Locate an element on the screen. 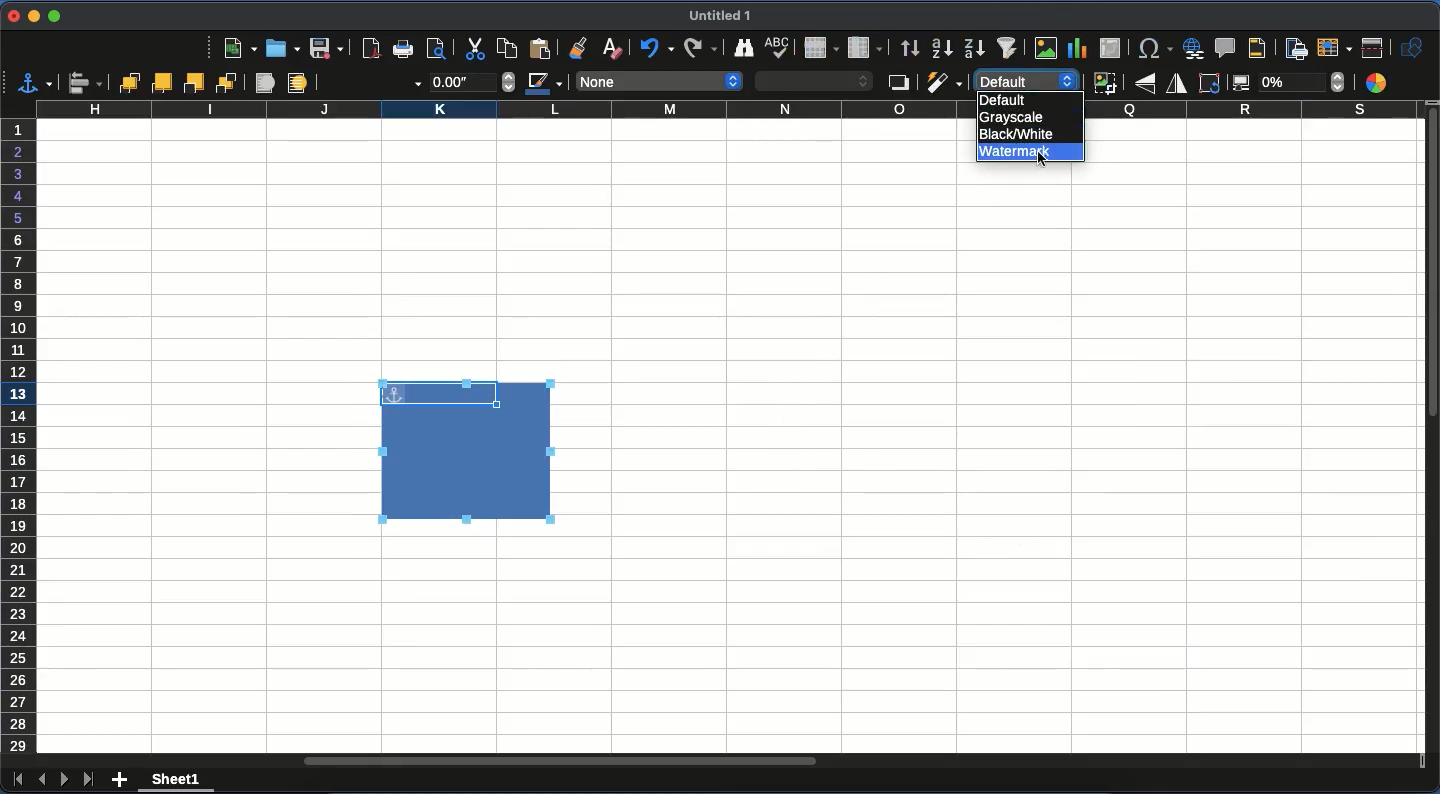 Image resolution: width=1440 pixels, height=794 pixels. sheet  is located at coordinates (176, 782).